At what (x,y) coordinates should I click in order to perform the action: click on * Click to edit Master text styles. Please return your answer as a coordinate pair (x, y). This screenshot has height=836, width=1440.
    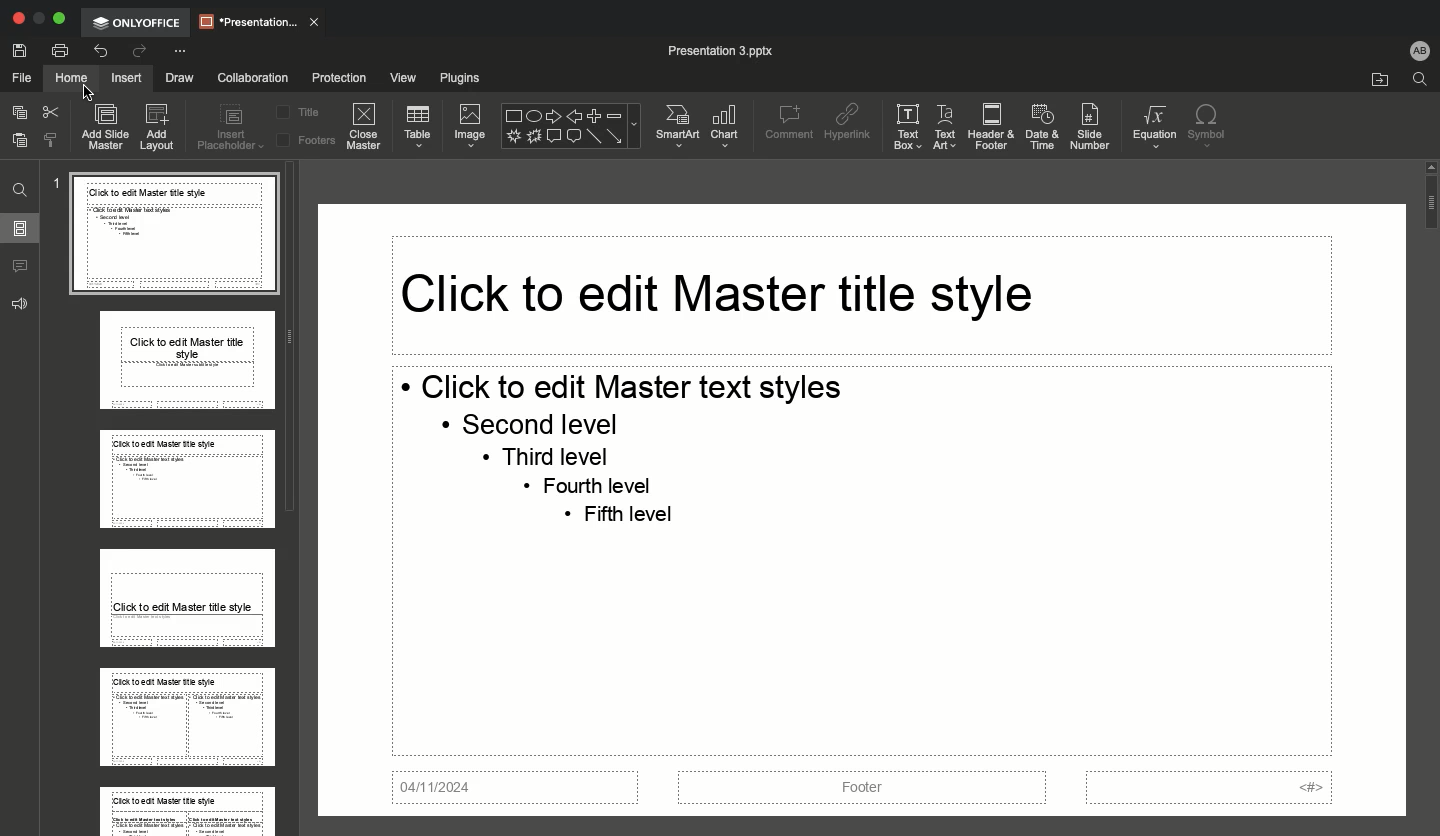
    Looking at the image, I should click on (628, 385).